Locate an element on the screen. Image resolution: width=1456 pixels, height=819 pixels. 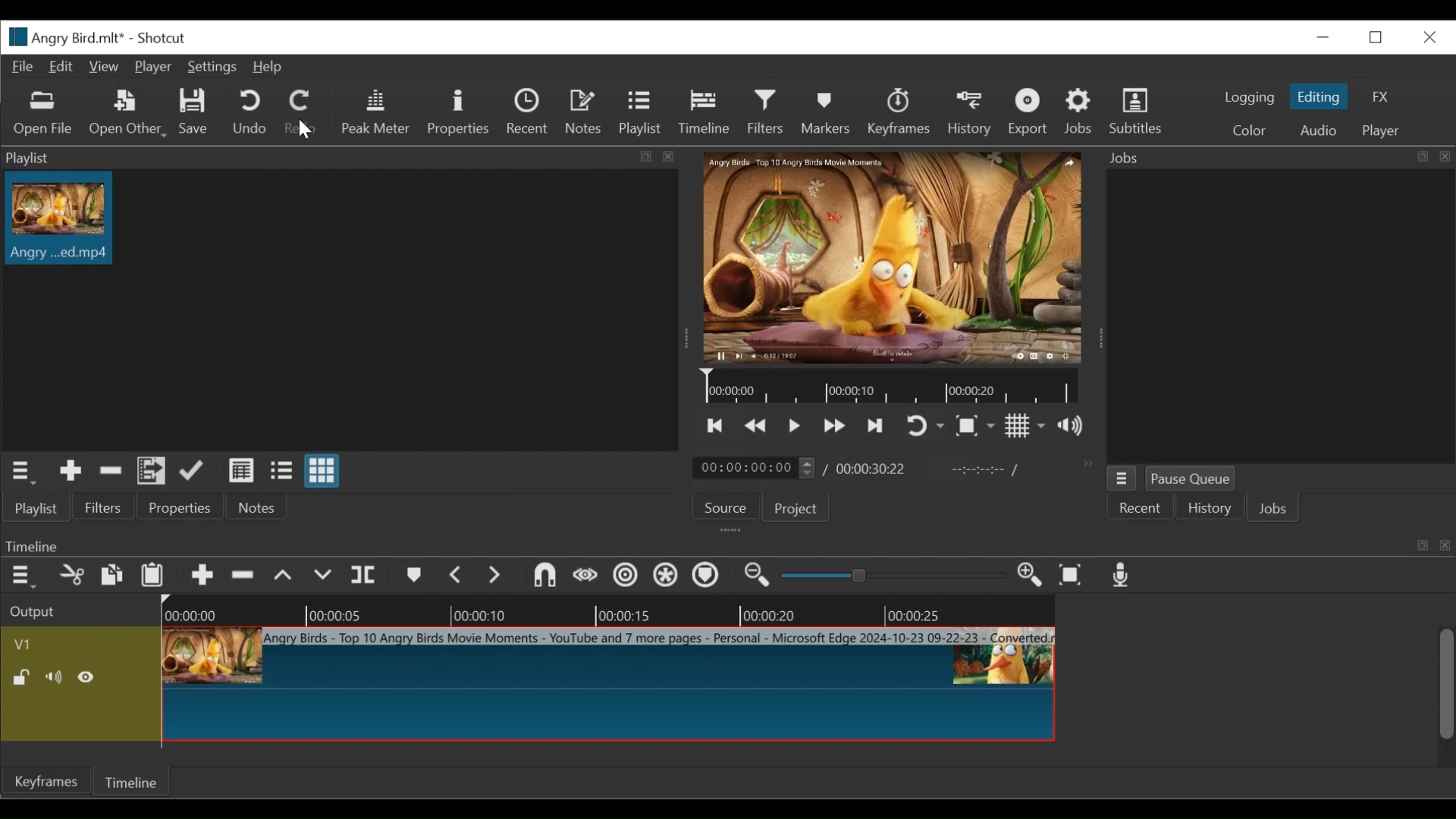
Timeline is located at coordinates (606, 610).